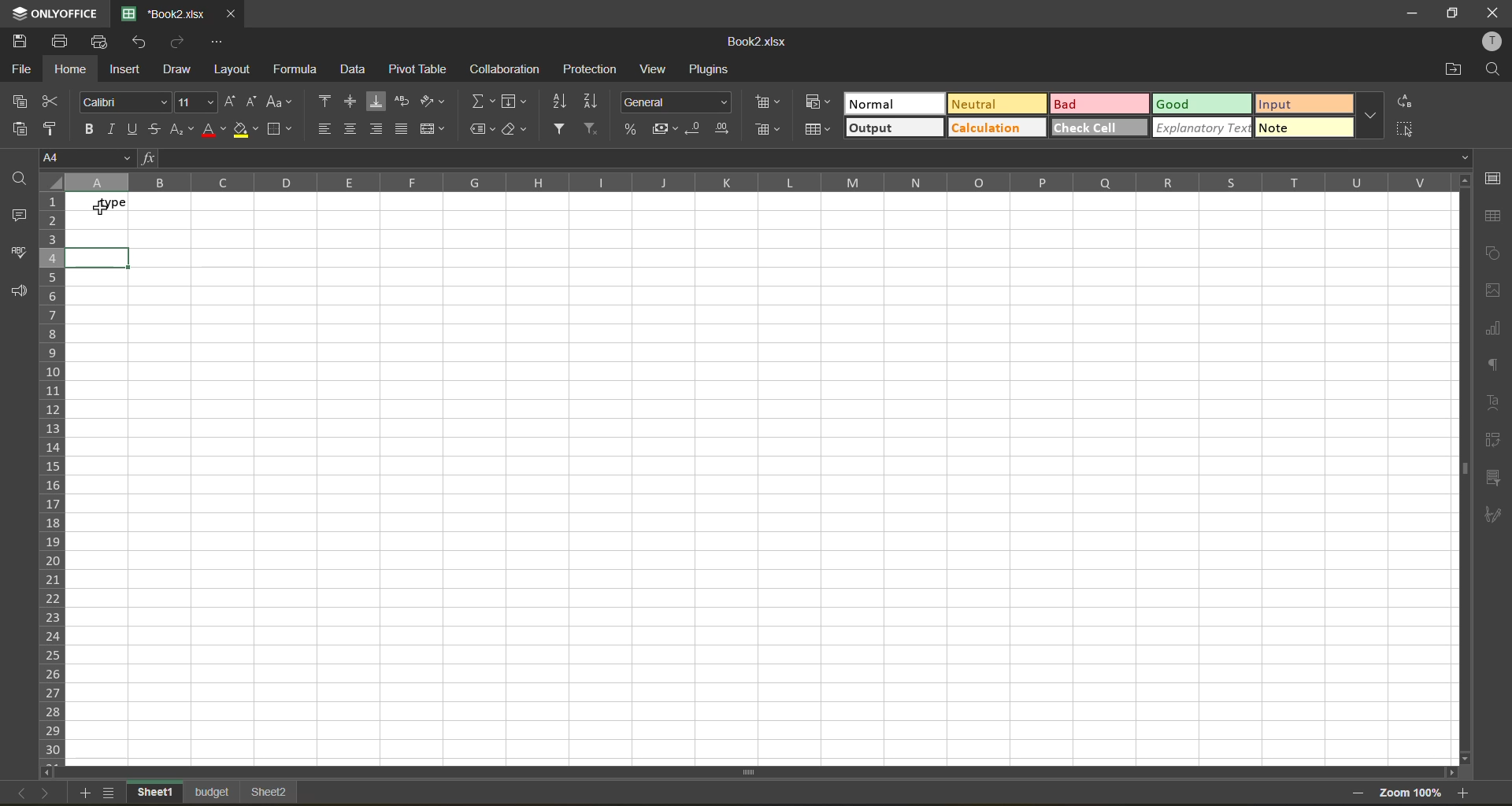 The image size is (1512, 806). Describe the element at coordinates (561, 104) in the screenshot. I see `sort ascending` at that location.